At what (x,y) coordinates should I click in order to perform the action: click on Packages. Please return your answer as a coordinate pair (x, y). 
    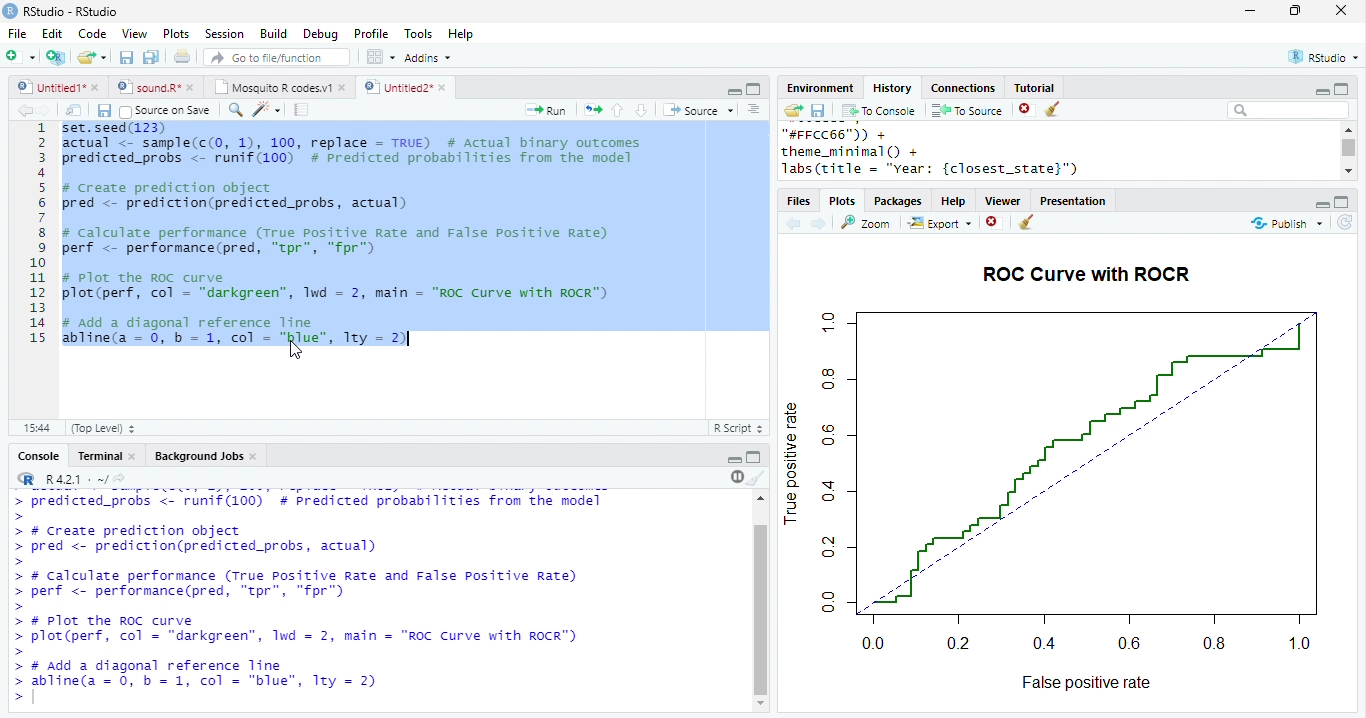
    Looking at the image, I should click on (898, 202).